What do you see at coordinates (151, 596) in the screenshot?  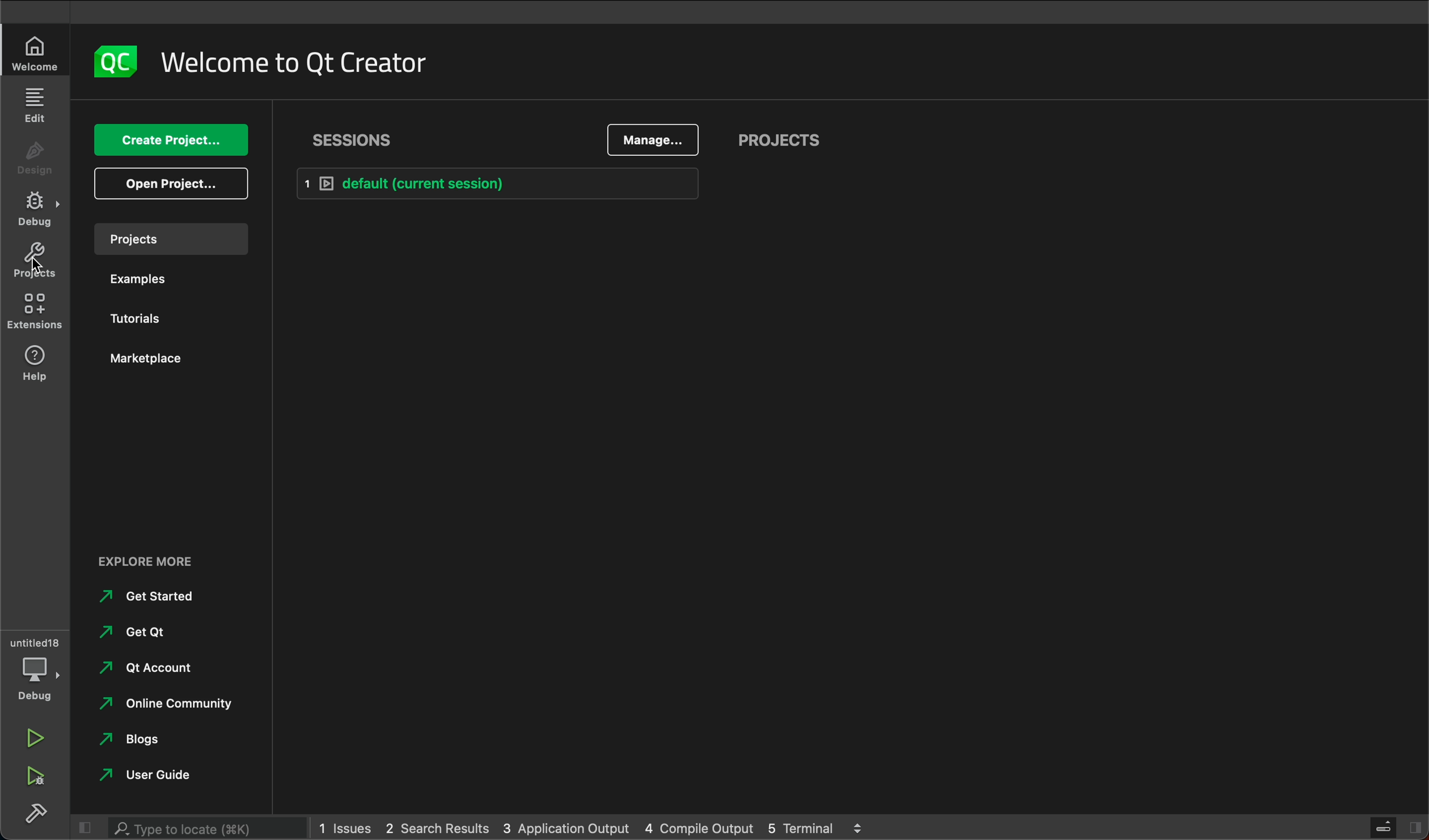 I see `Get Started` at bounding box center [151, 596].